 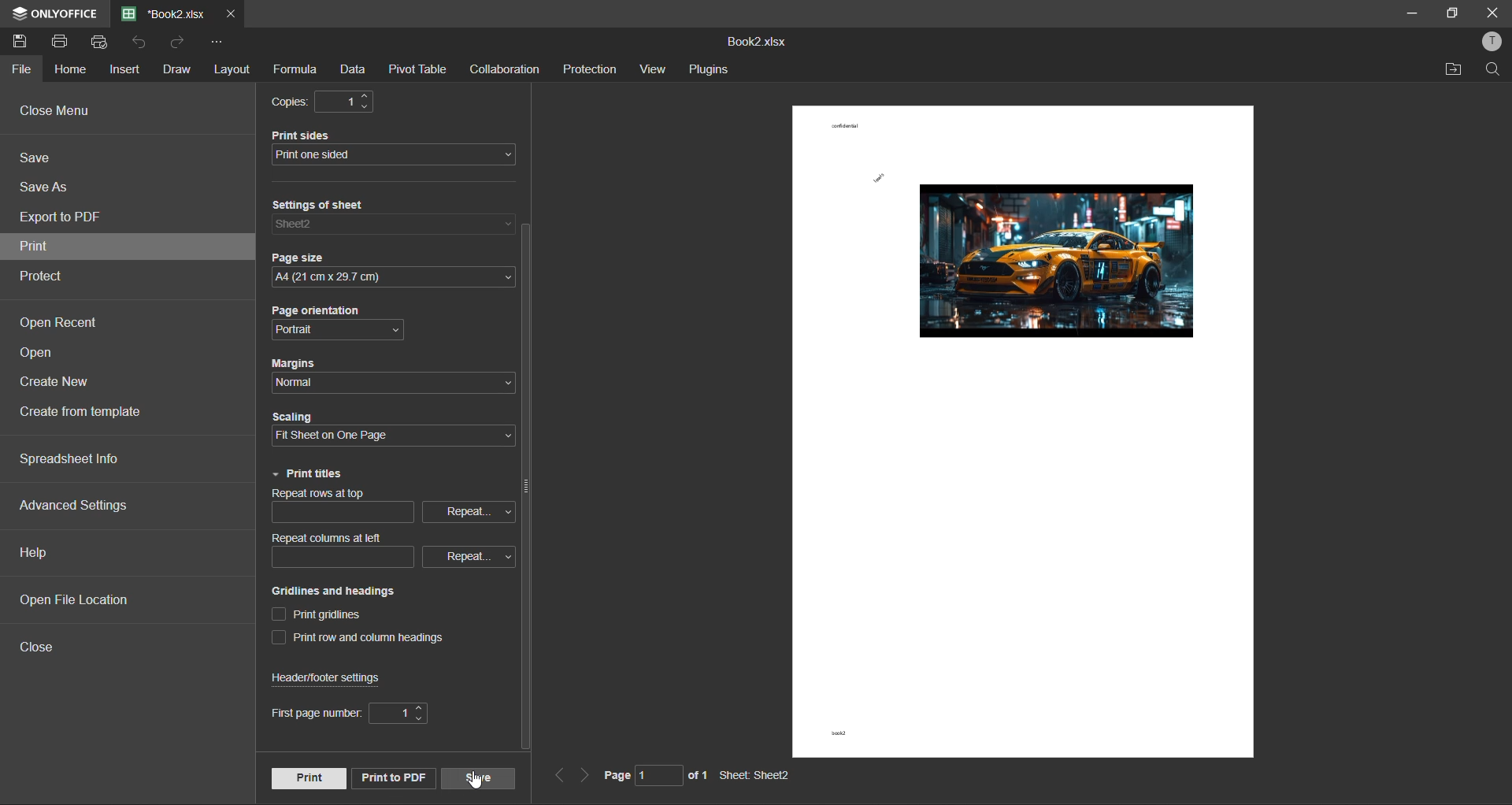 What do you see at coordinates (394, 778) in the screenshot?
I see `print to pdf` at bounding box center [394, 778].